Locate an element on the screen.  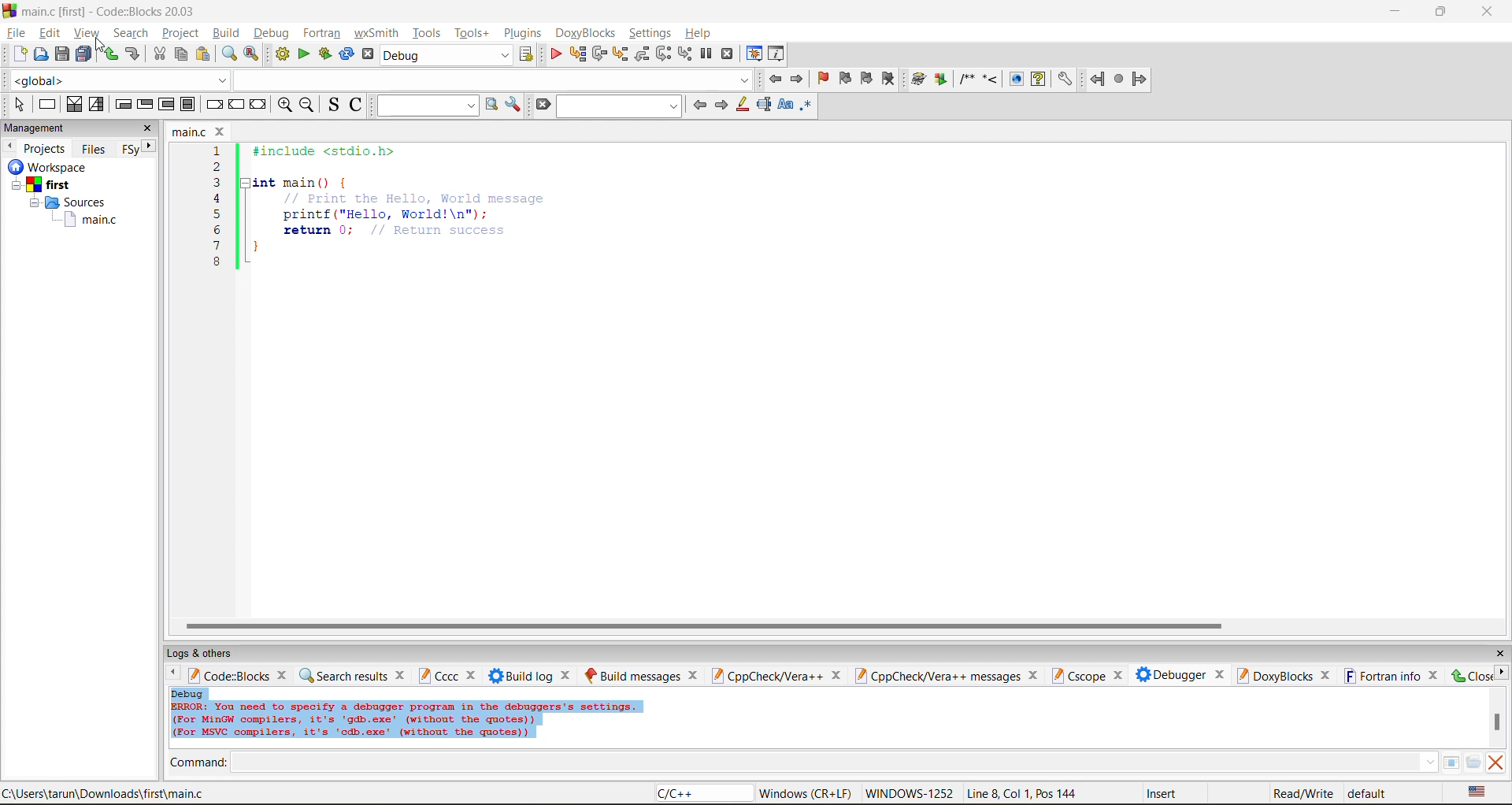
exit condition loop is located at coordinates (146, 105).